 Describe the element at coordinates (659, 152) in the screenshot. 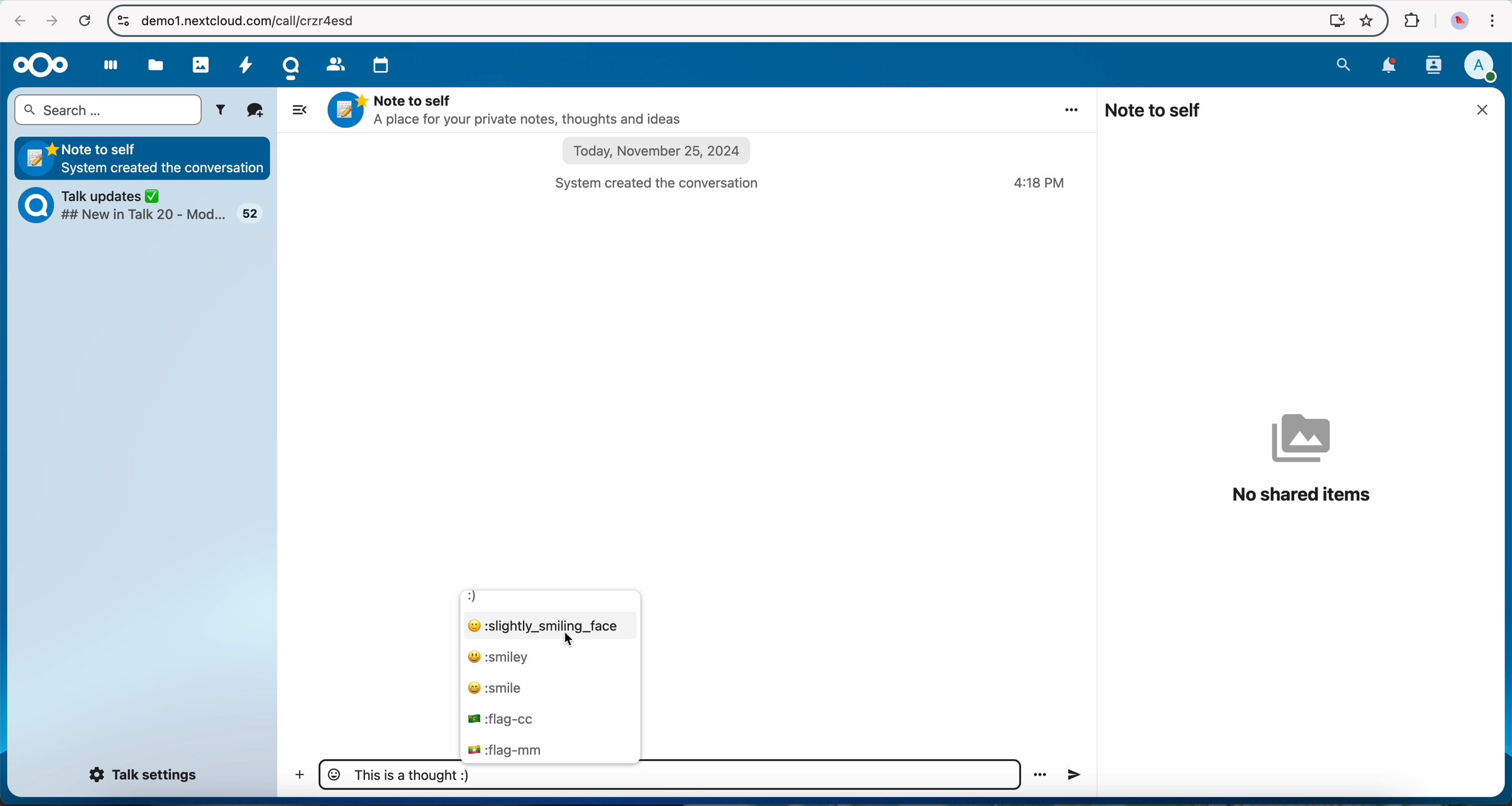

I see `date` at that location.